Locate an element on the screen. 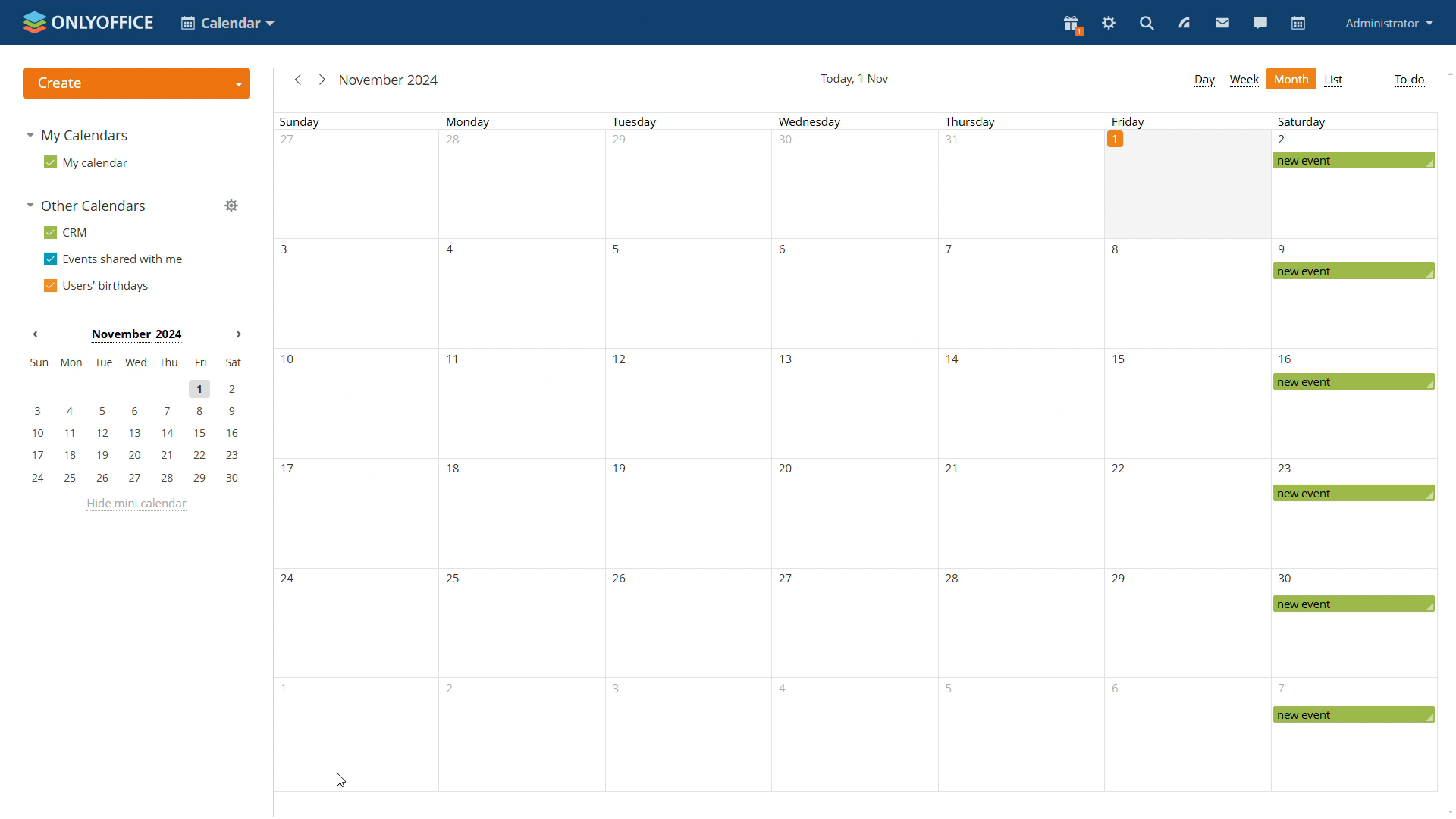 The image size is (1456, 819). crm is located at coordinates (67, 232).